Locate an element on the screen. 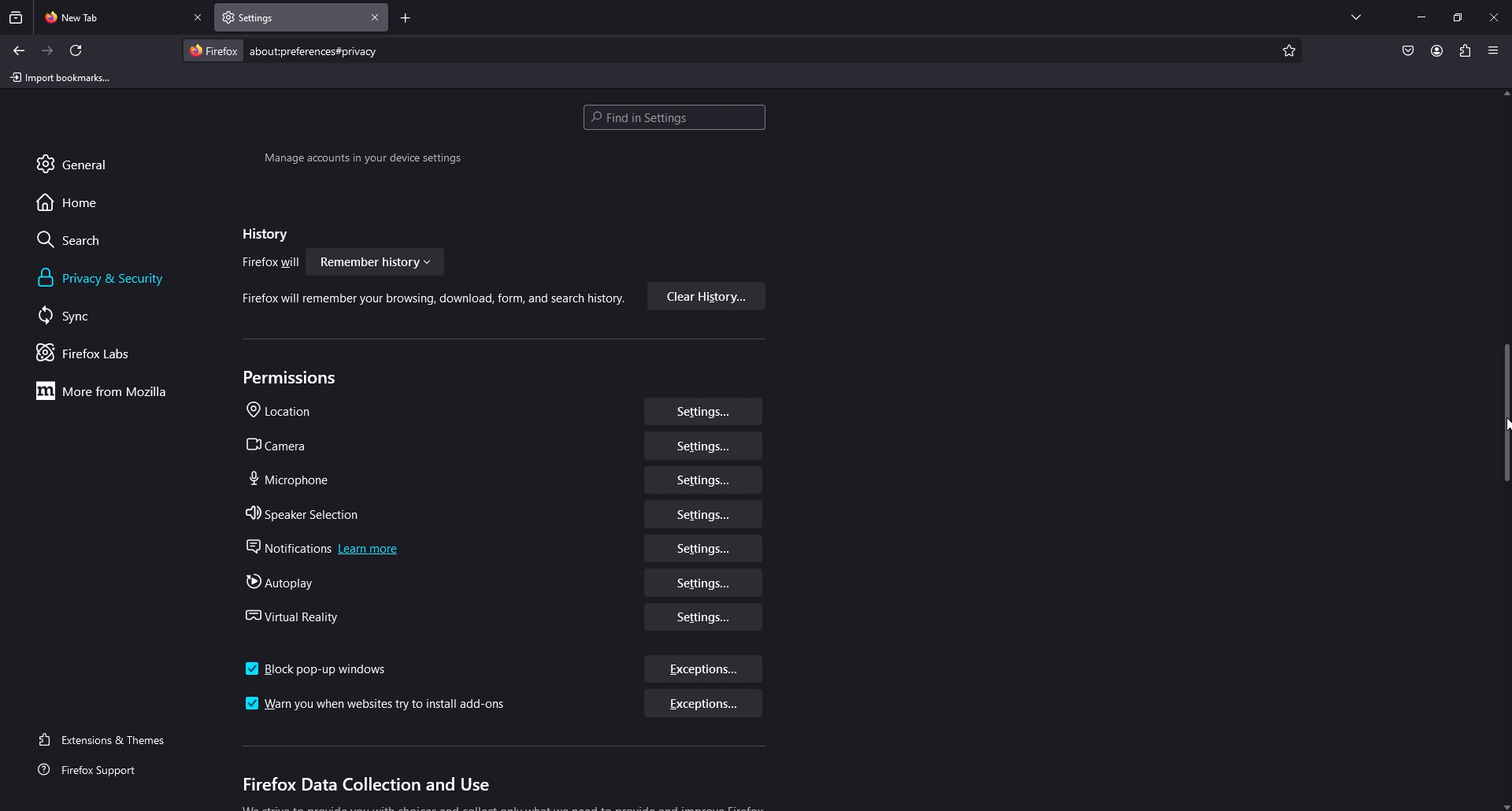  permissions is located at coordinates (294, 378).